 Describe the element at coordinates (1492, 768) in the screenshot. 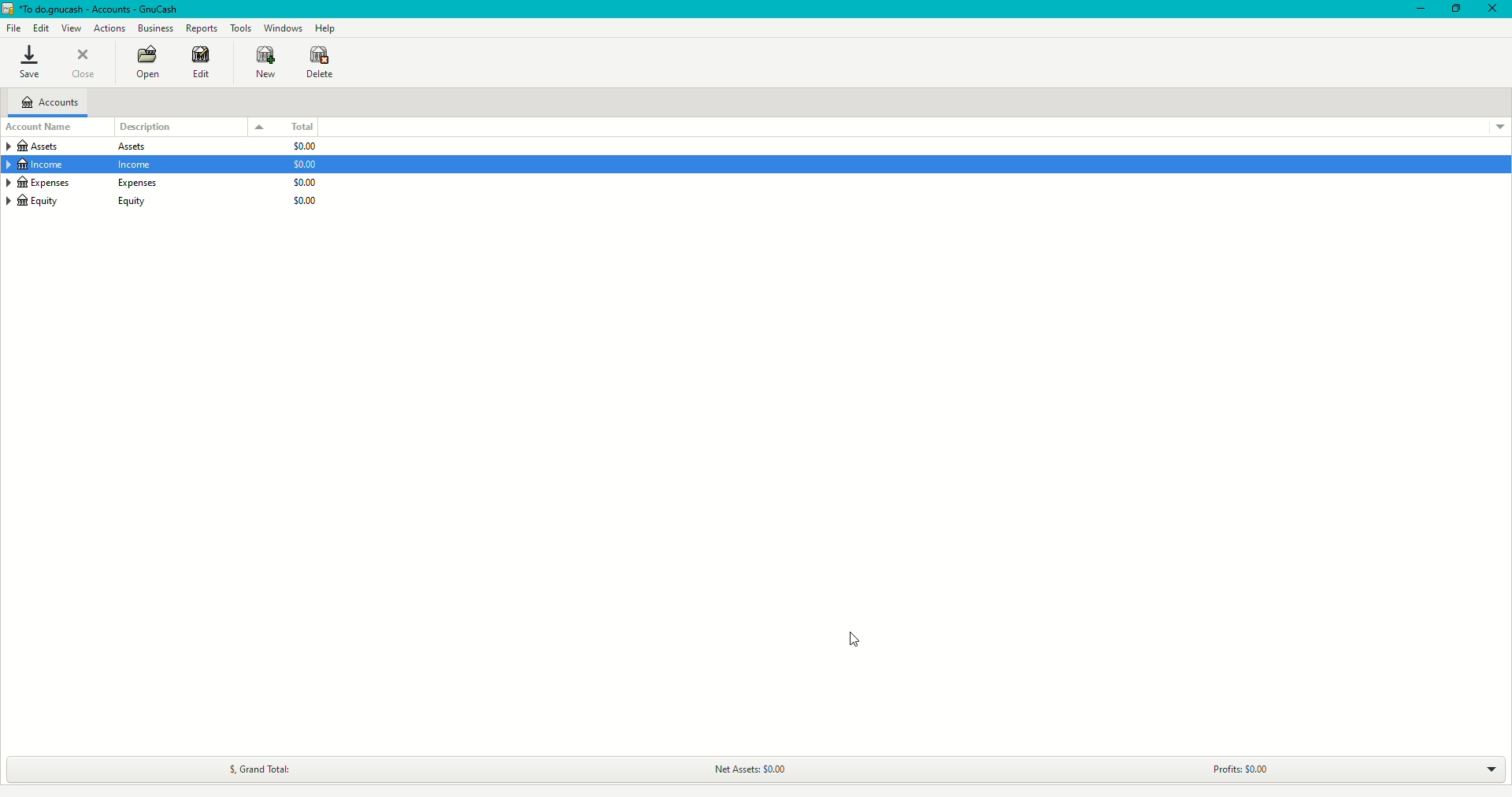

I see `Drop down` at that location.